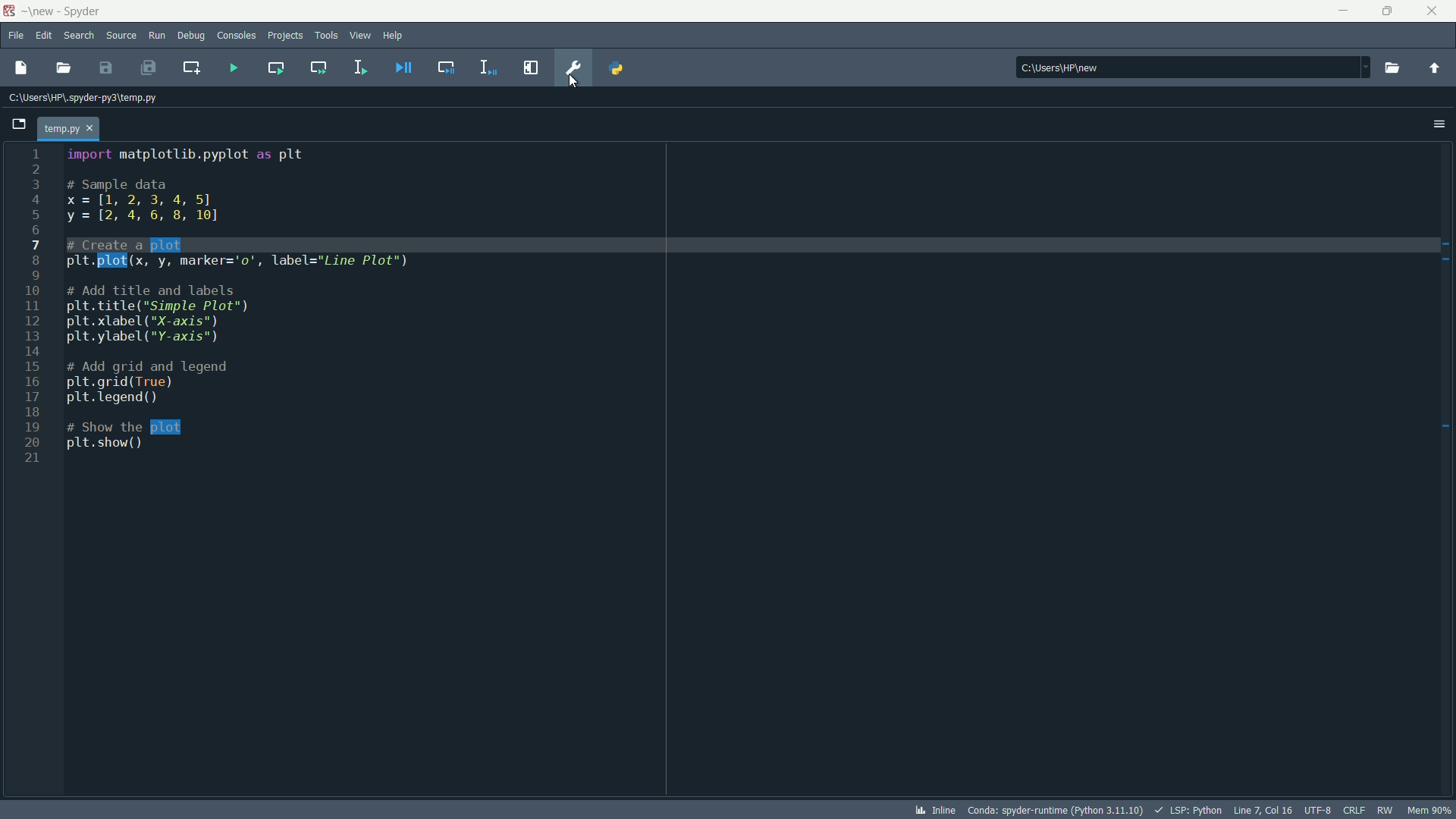  I want to click on edit, so click(44, 36).